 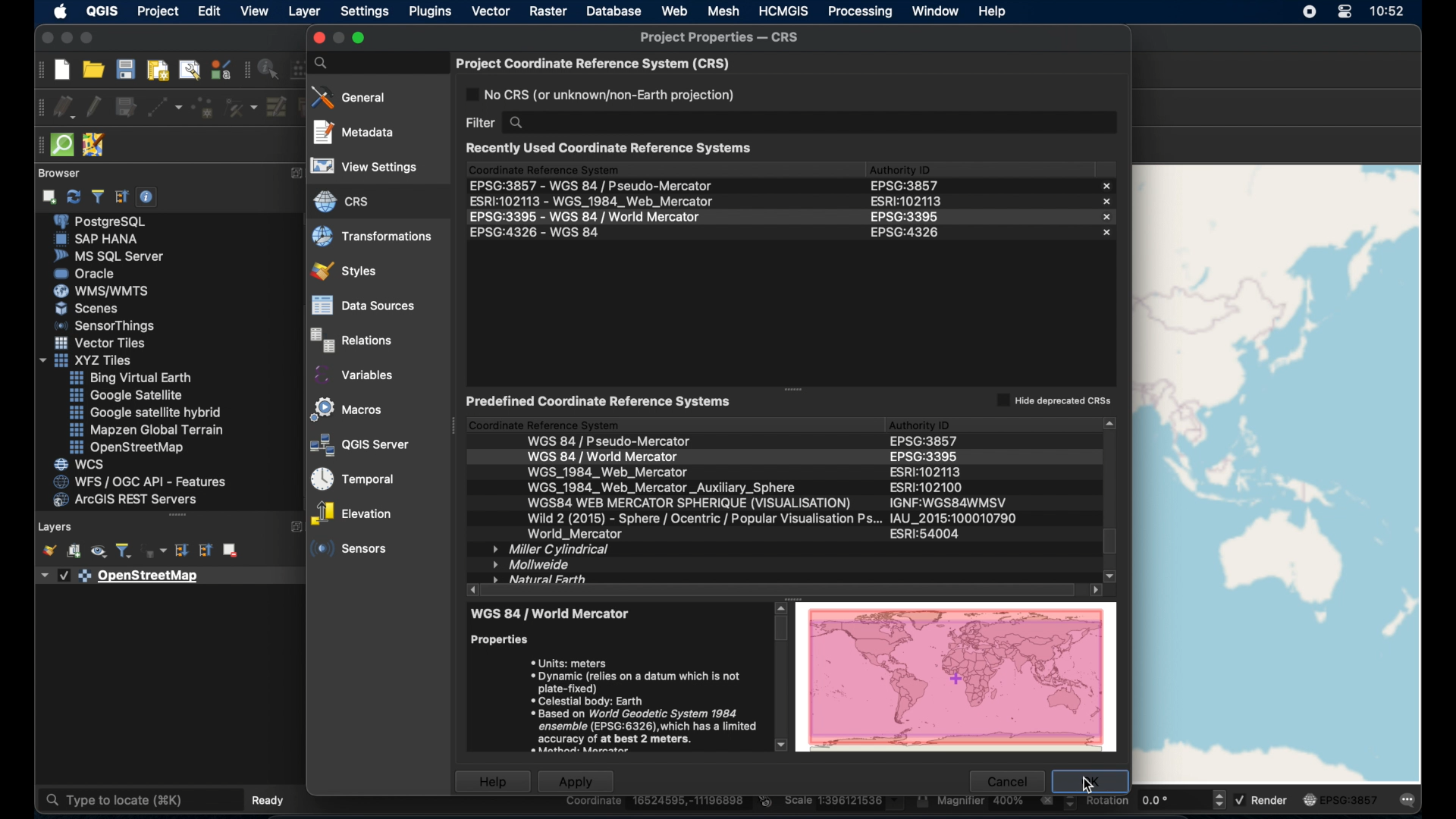 I want to click on refresh, so click(x=74, y=198).